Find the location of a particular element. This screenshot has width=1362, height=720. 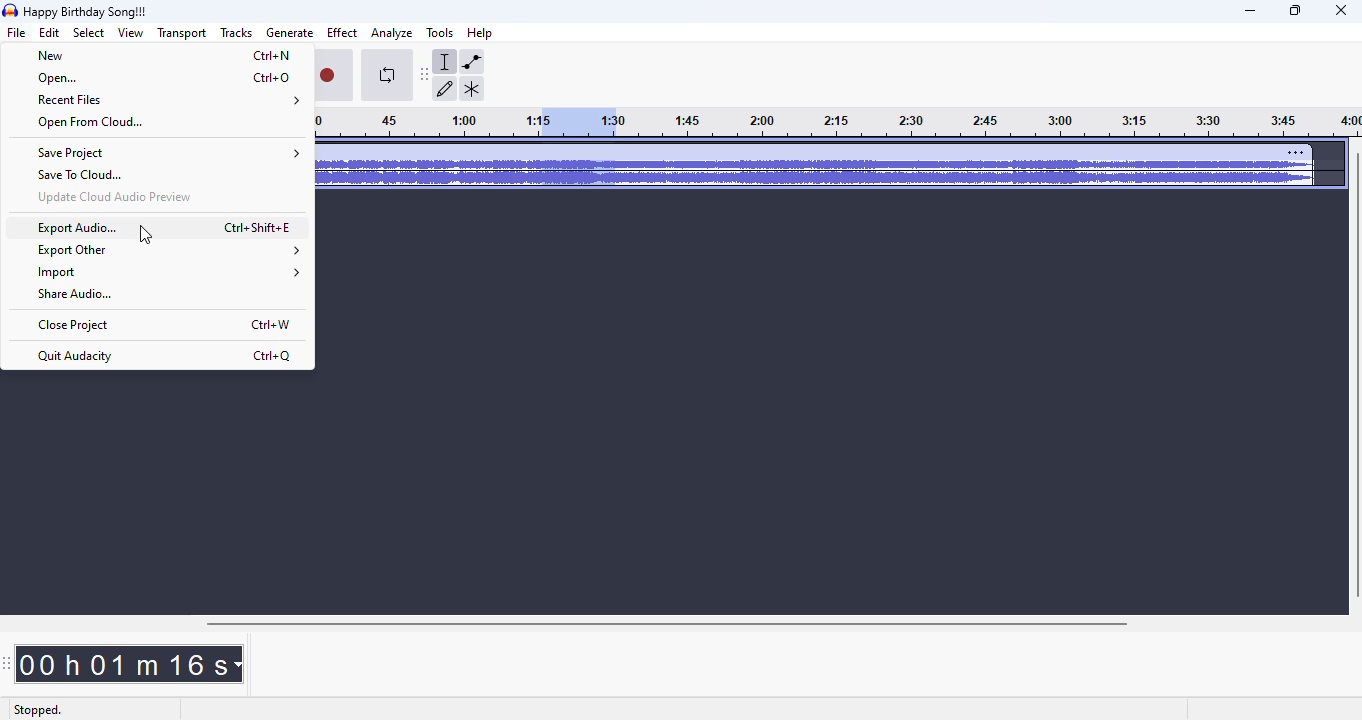

Tracks is located at coordinates (237, 32).